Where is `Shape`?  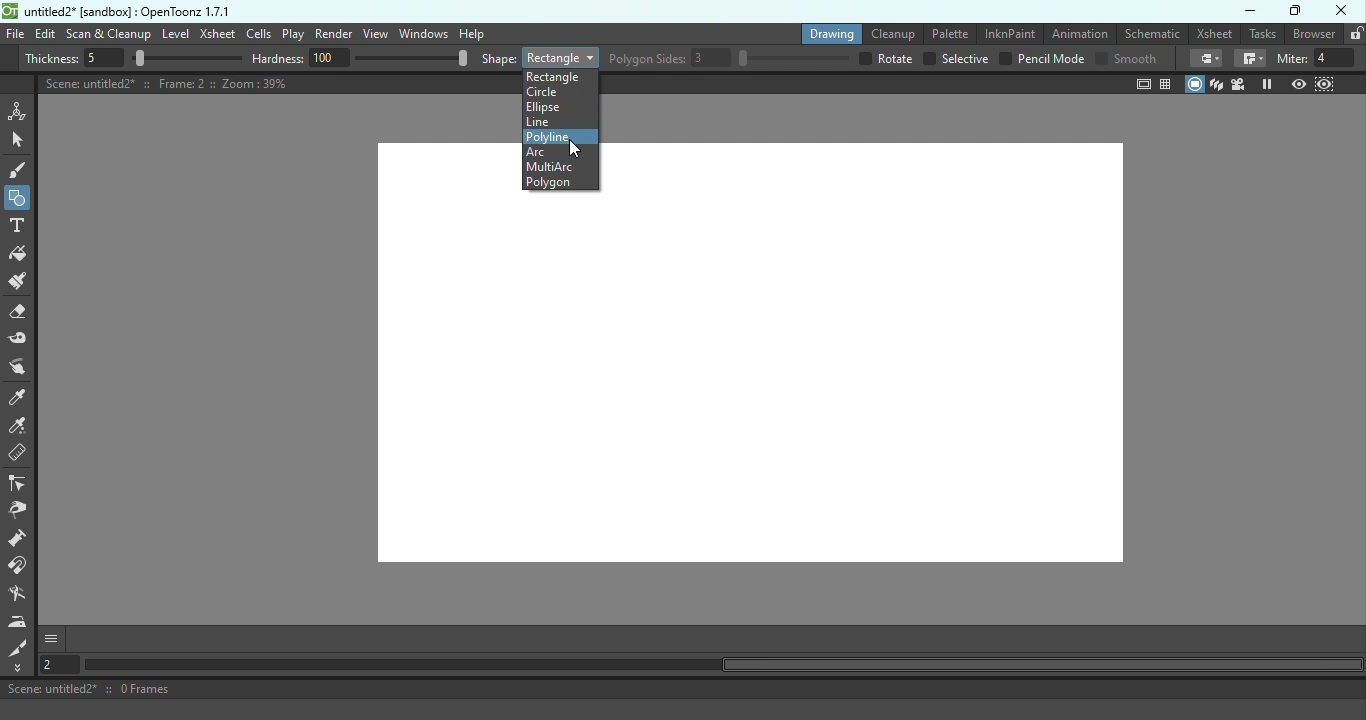
Shape is located at coordinates (540, 56).